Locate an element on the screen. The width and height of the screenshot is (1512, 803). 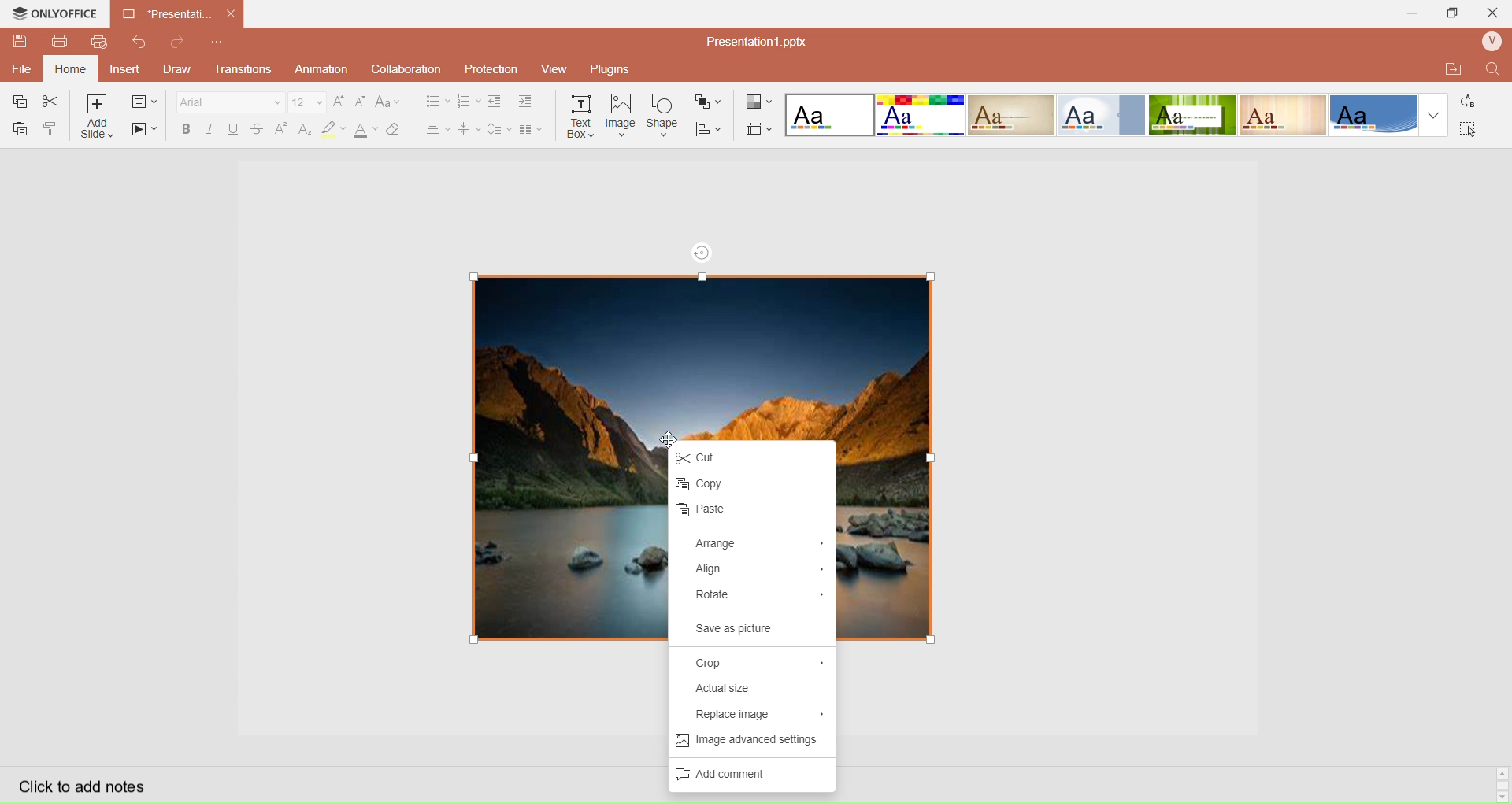
Insert is located at coordinates (126, 71).